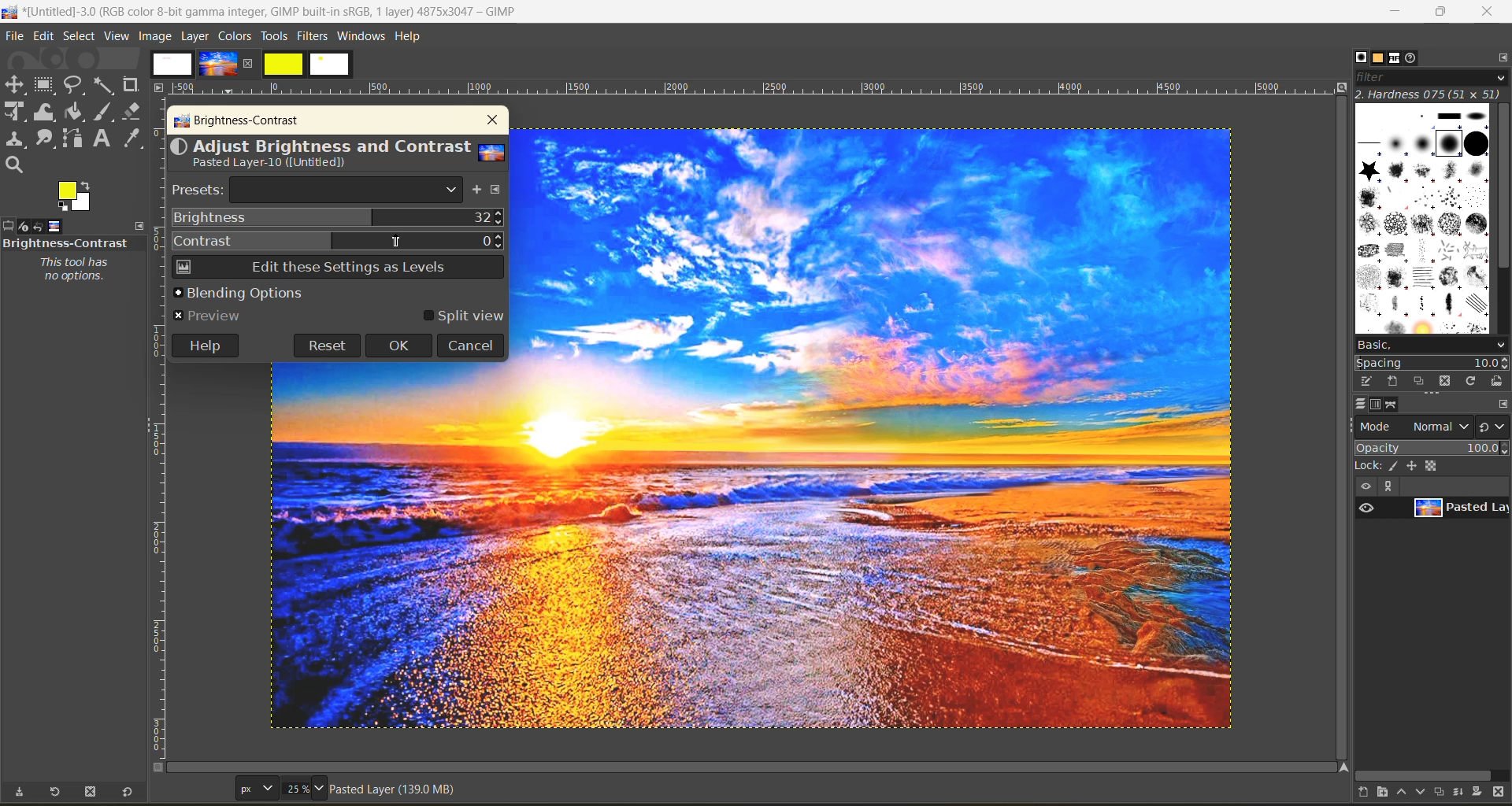 The height and width of the screenshot is (806, 1512). I want to click on close, so click(489, 120).